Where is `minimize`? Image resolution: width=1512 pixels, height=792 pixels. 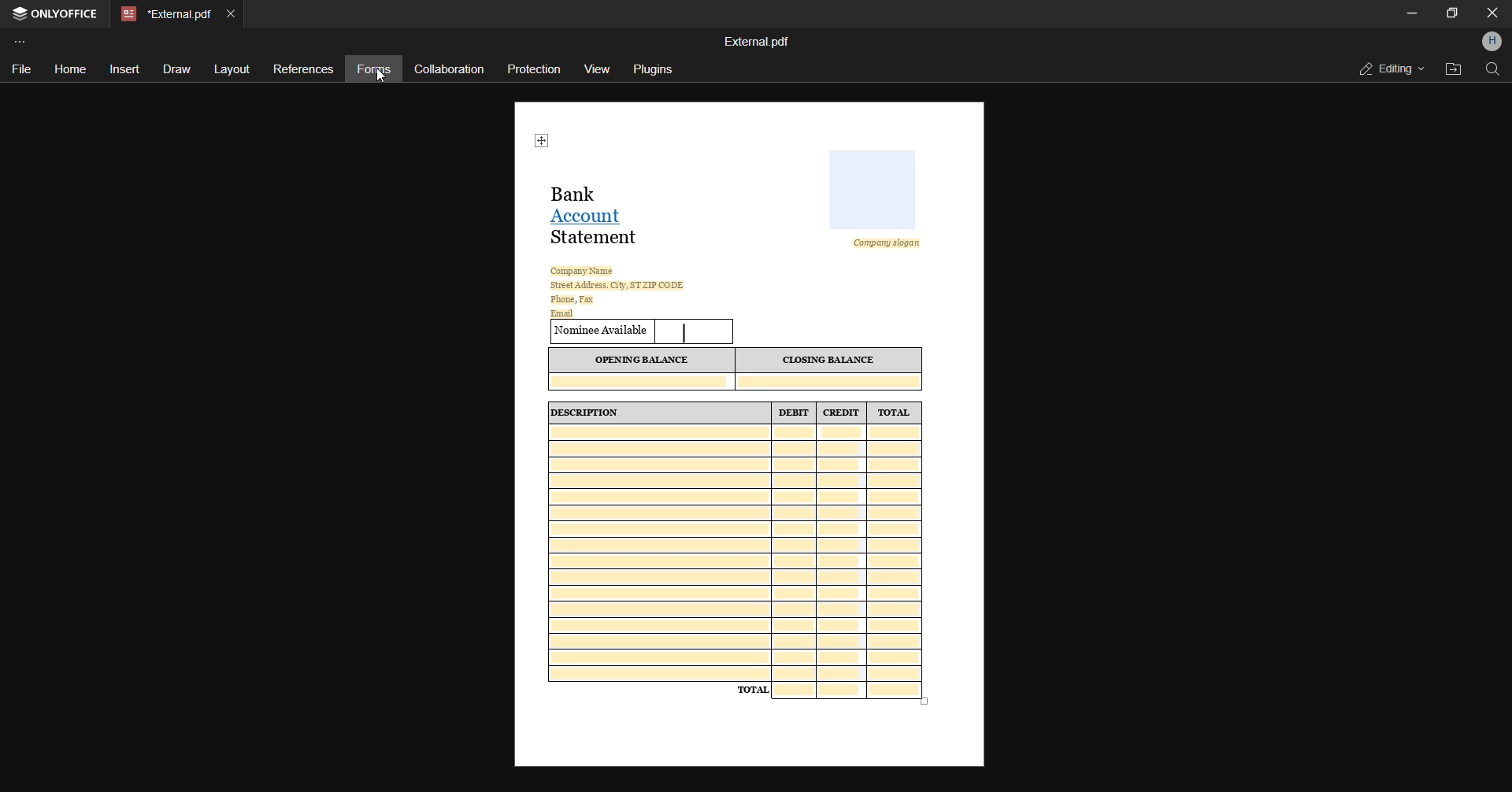 minimize is located at coordinates (1408, 13).